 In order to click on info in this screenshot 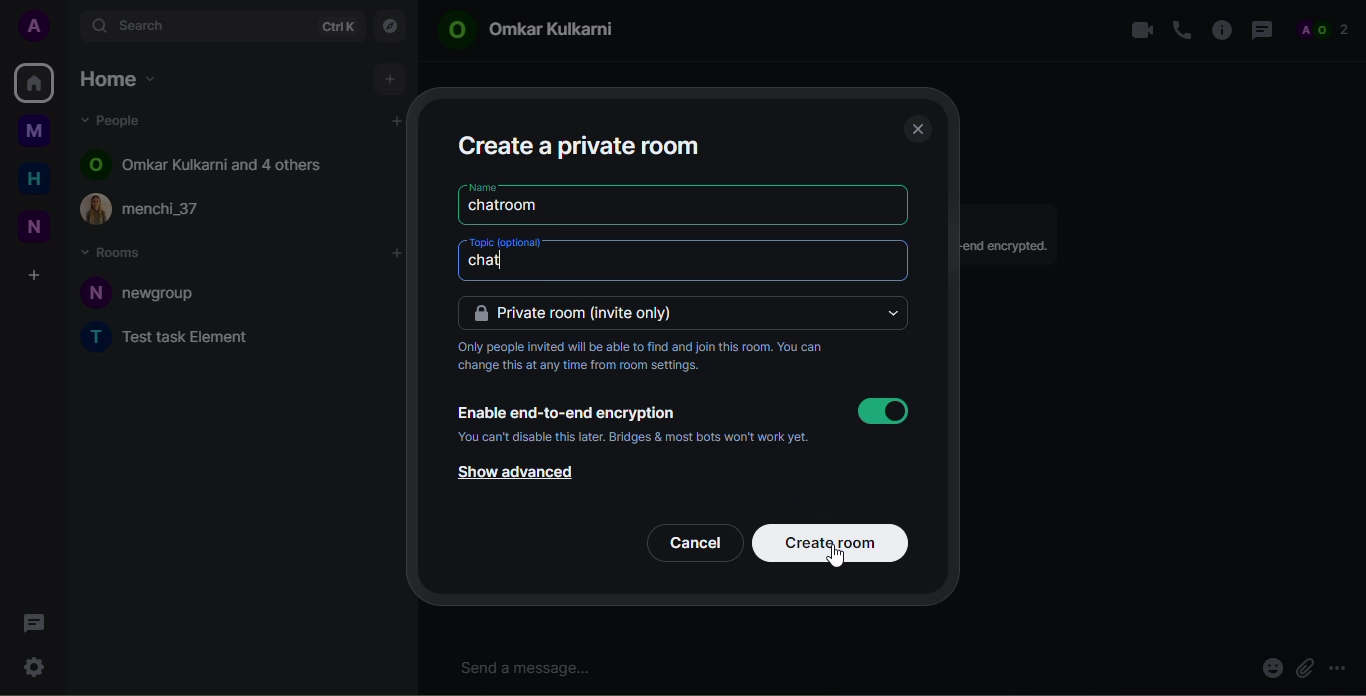, I will do `click(1221, 28)`.